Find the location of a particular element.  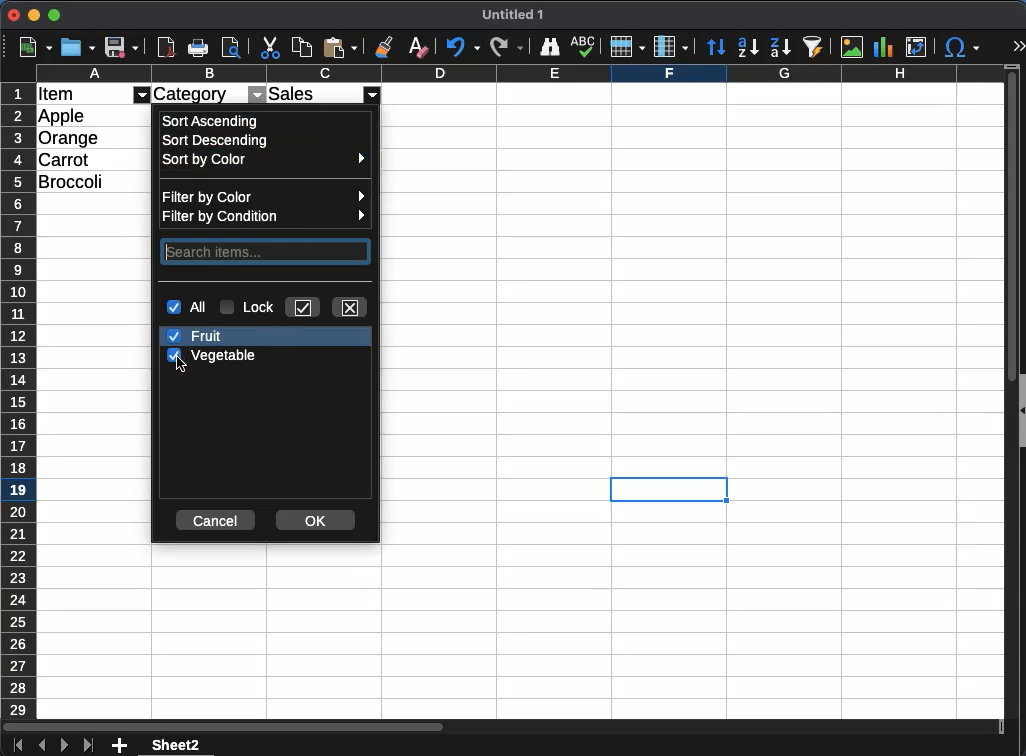

item is located at coordinates (57, 95).